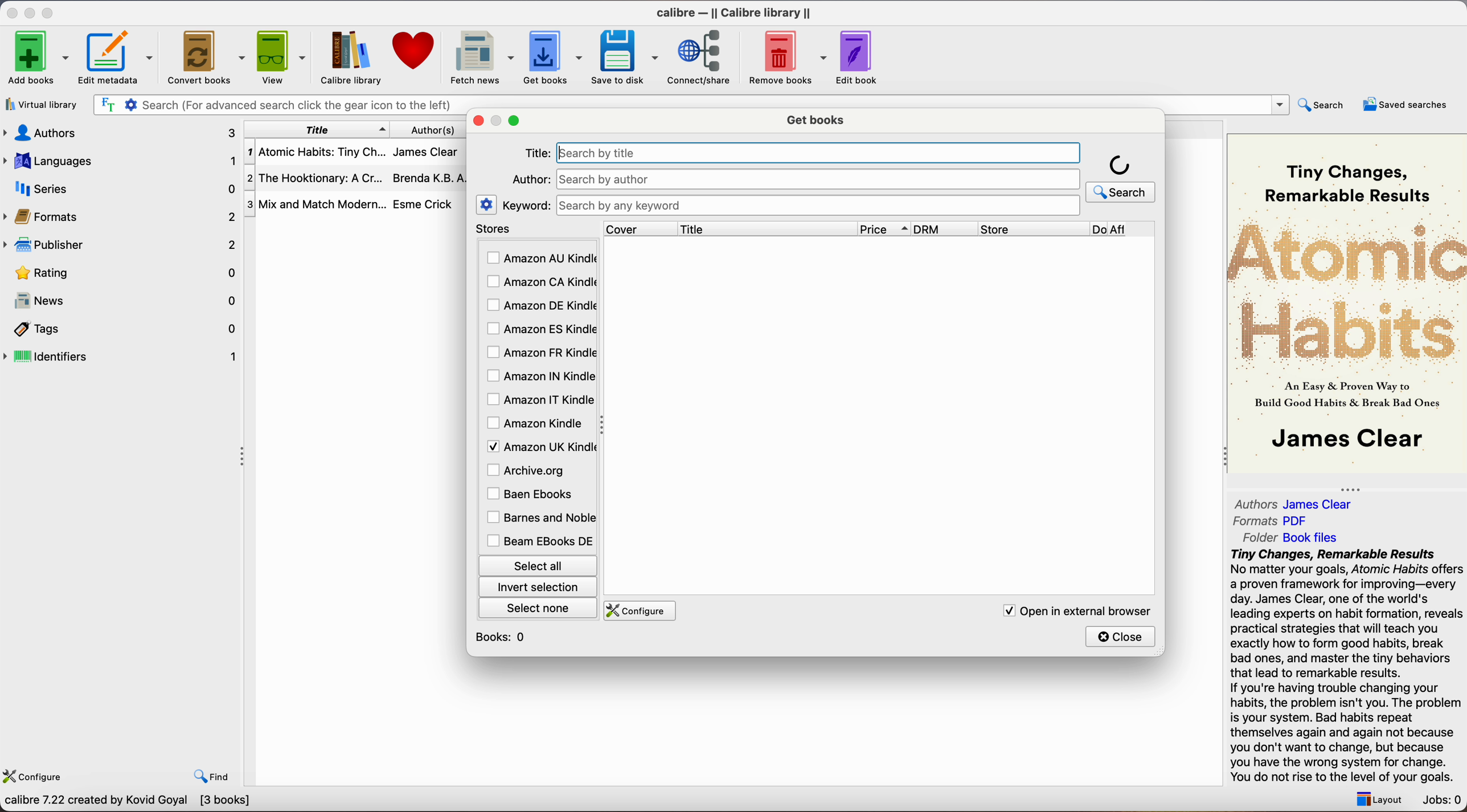  Describe the element at coordinates (538, 518) in the screenshot. I see `barnes and noble` at that location.